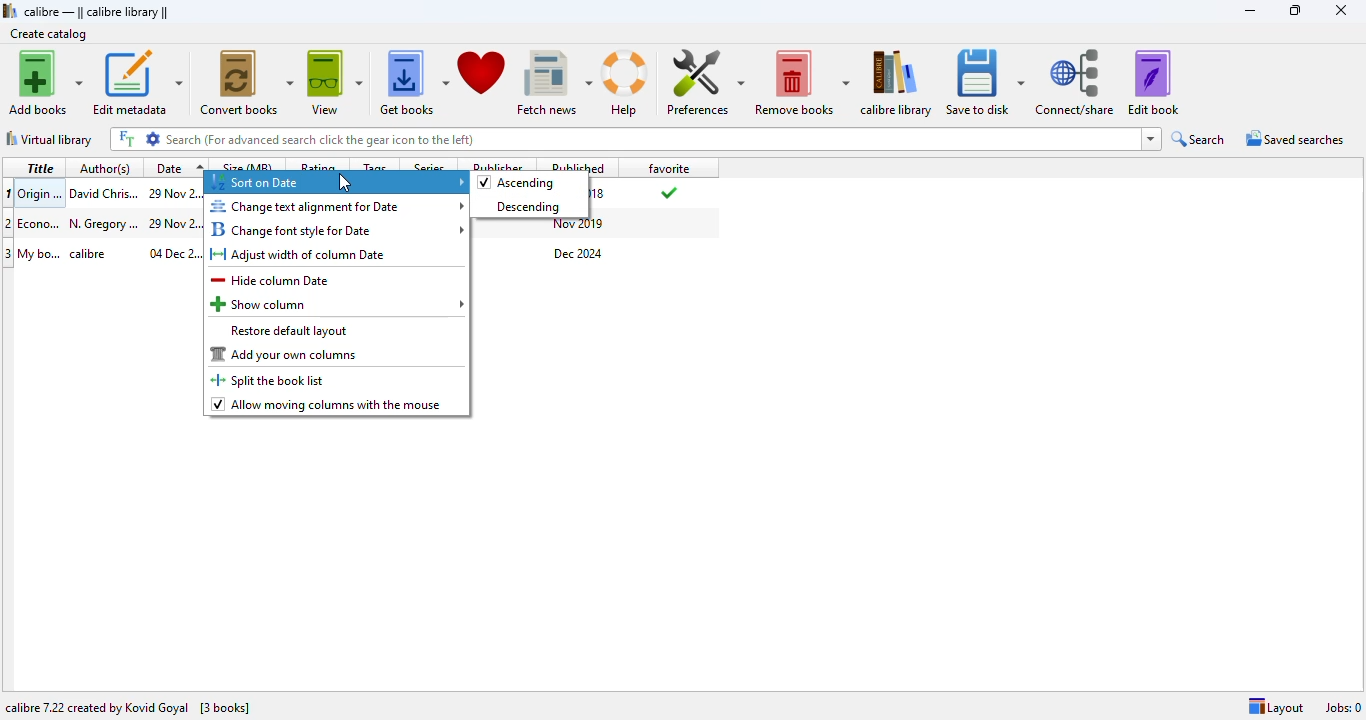  What do you see at coordinates (173, 223) in the screenshot?
I see `date` at bounding box center [173, 223].